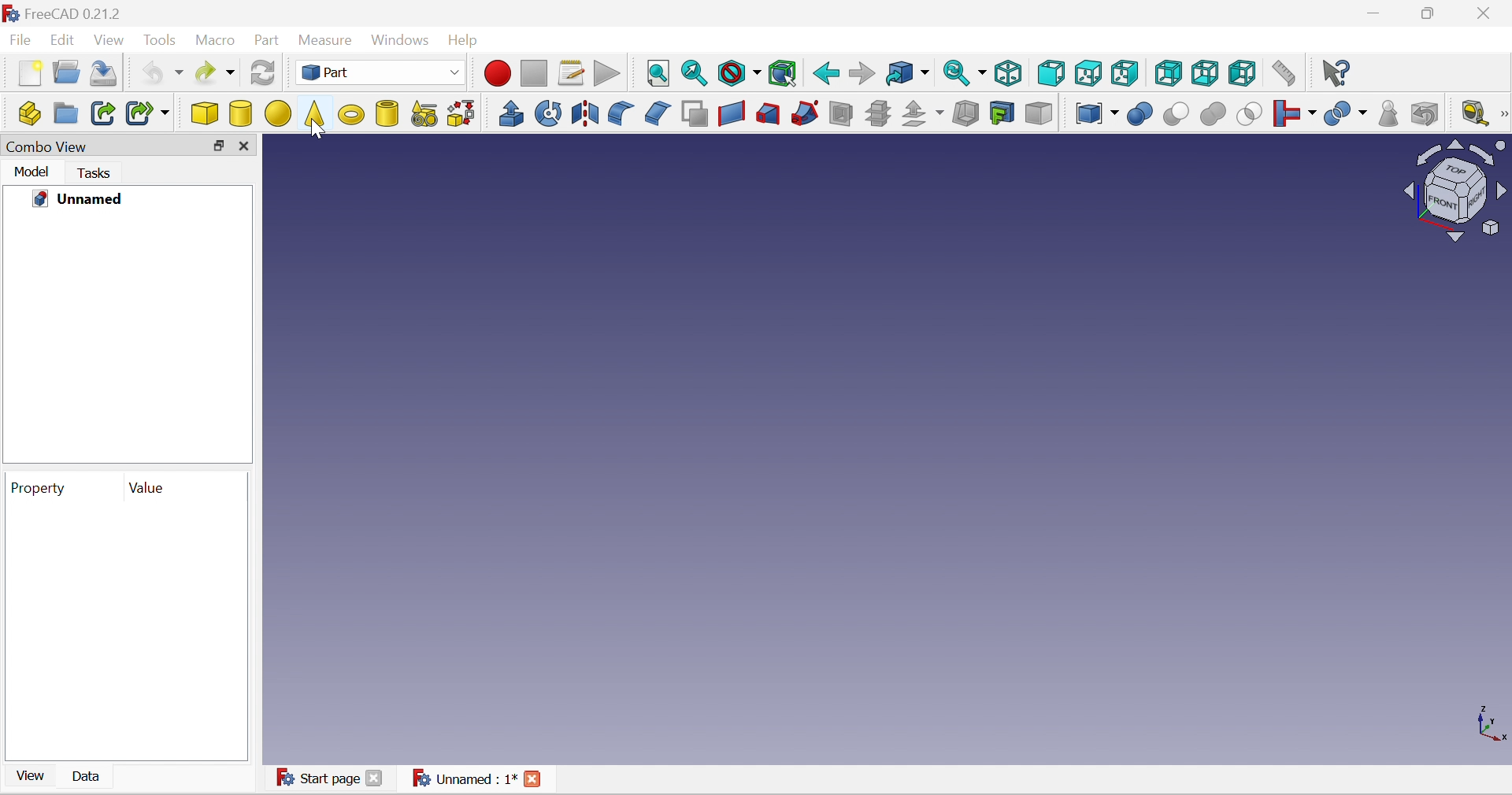 This screenshot has width=1512, height=795. What do you see at coordinates (695, 73) in the screenshot?
I see `Fit selection` at bounding box center [695, 73].